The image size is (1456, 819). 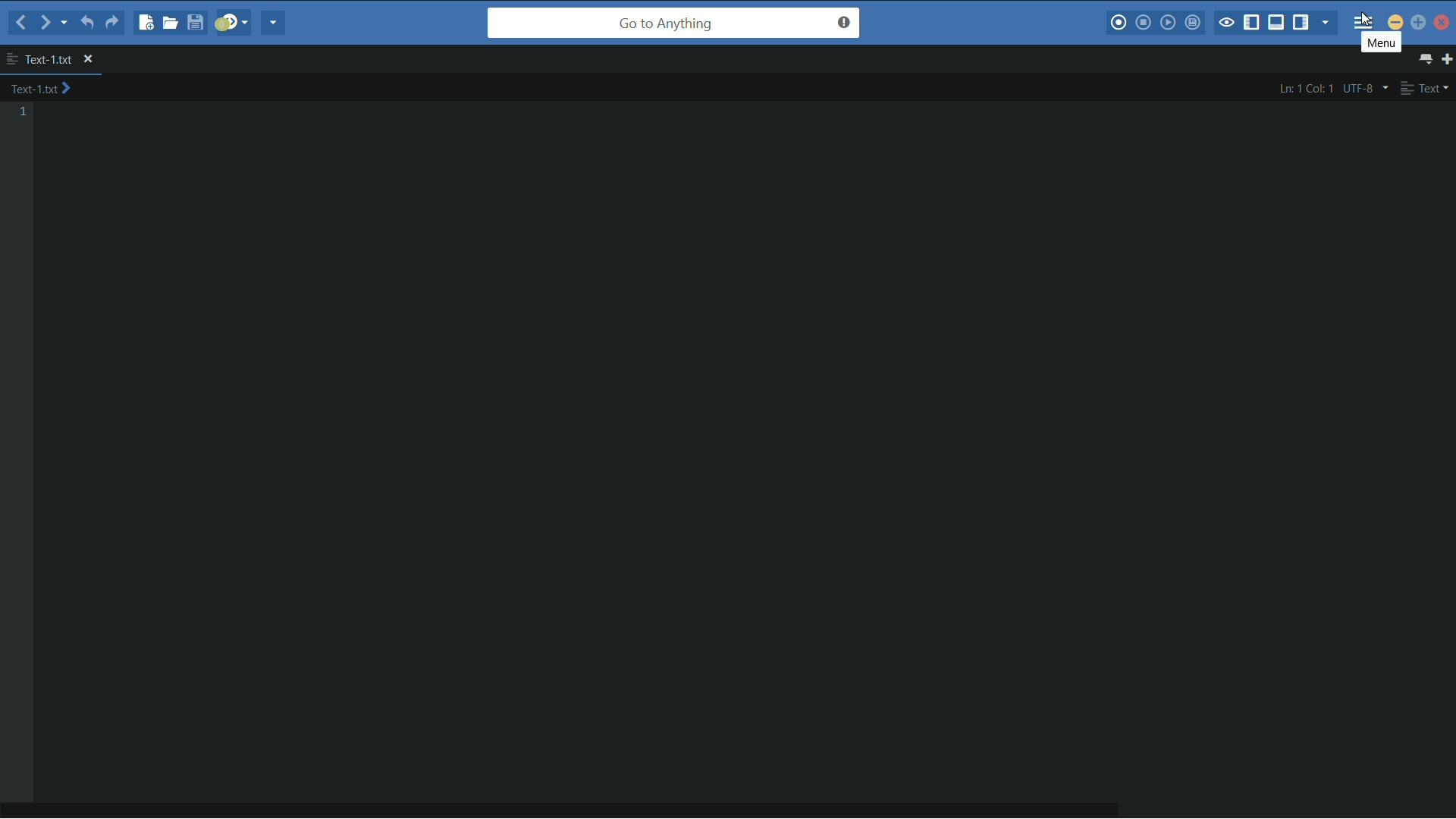 What do you see at coordinates (197, 22) in the screenshot?
I see `save file` at bounding box center [197, 22].